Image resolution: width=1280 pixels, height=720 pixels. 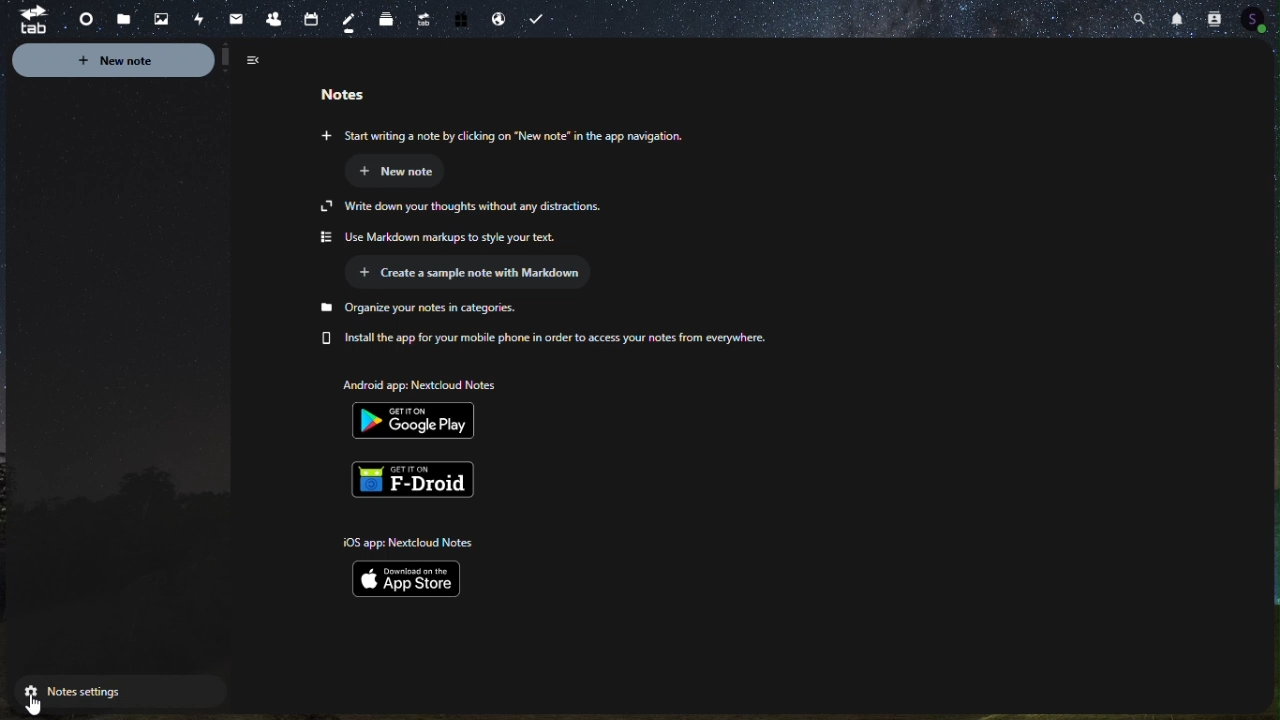 What do you see at coordinates (26, 18) in the screenshot?
I see `tab ` at bounding box center [26, 18].